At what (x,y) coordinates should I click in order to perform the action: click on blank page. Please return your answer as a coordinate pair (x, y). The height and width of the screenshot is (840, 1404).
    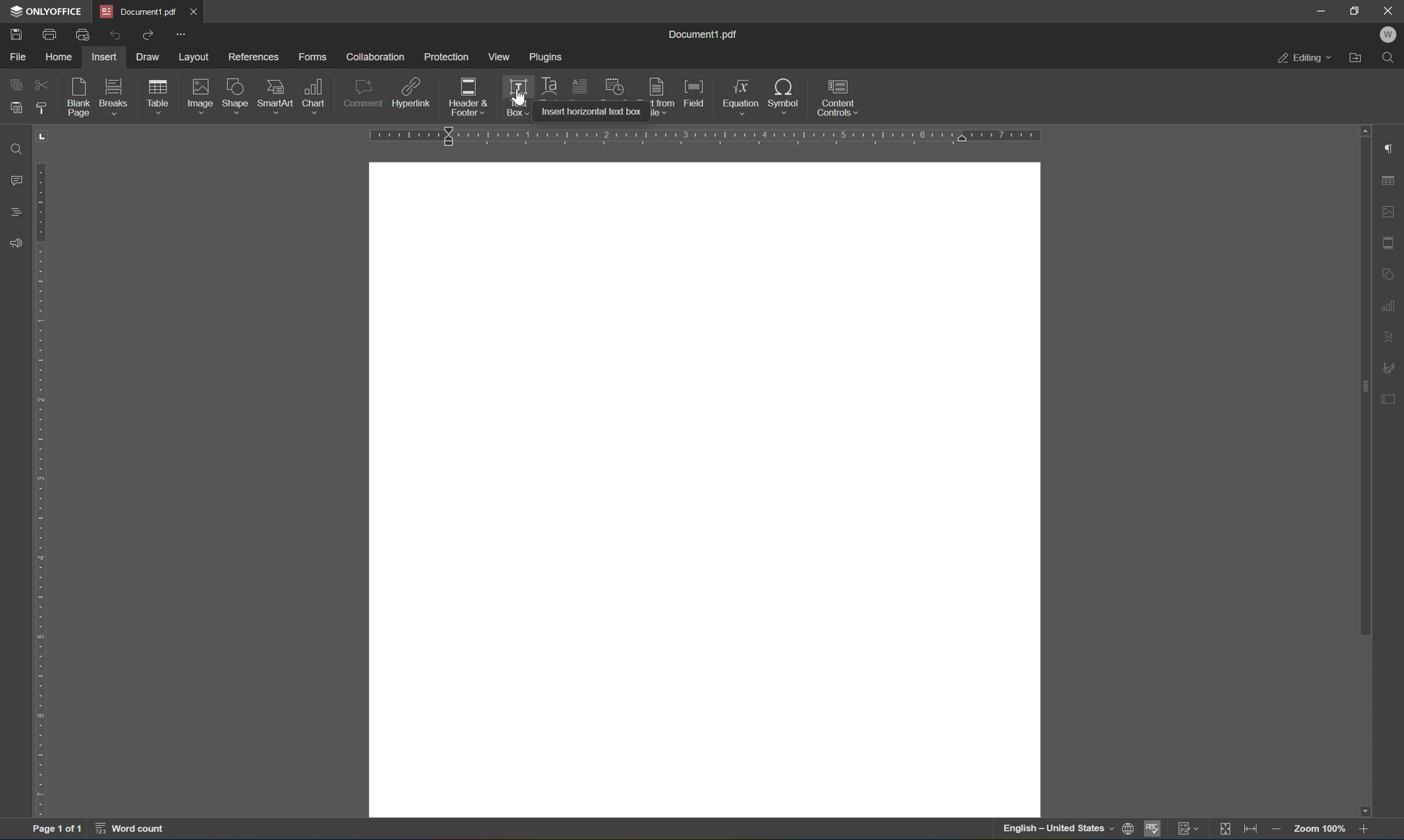
    Looking at the image, I should click on (82, 98).